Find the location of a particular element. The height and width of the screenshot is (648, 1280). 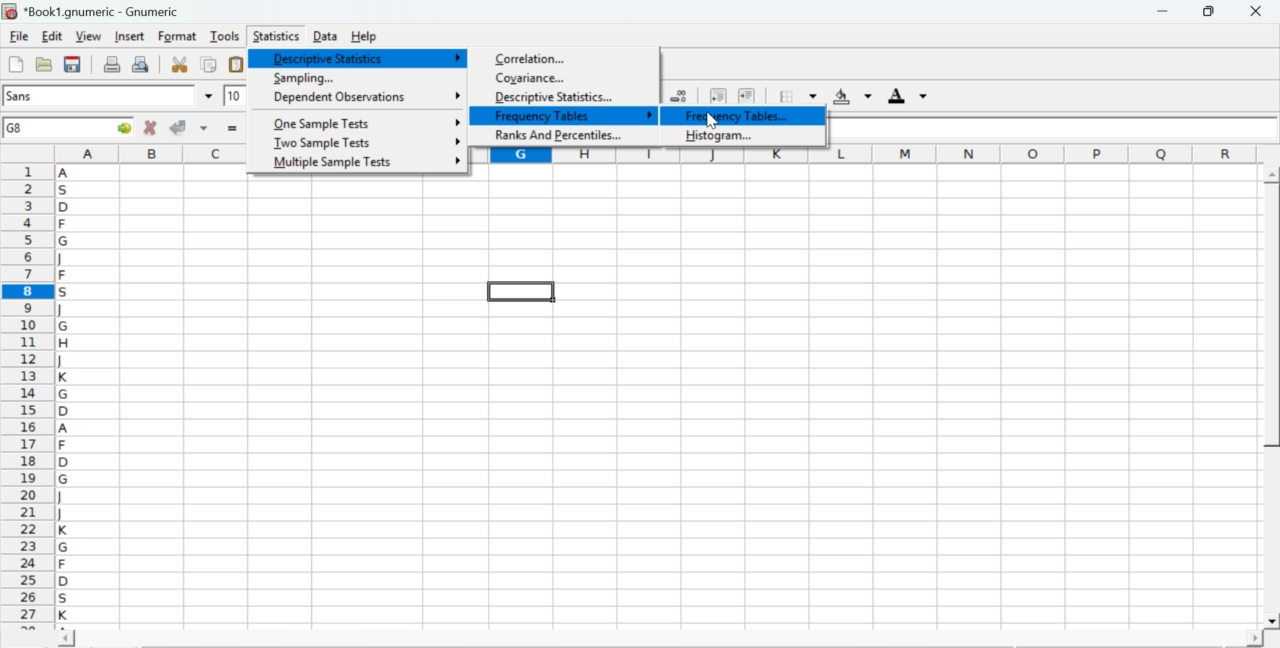

format is located at coordinates (178, 36).